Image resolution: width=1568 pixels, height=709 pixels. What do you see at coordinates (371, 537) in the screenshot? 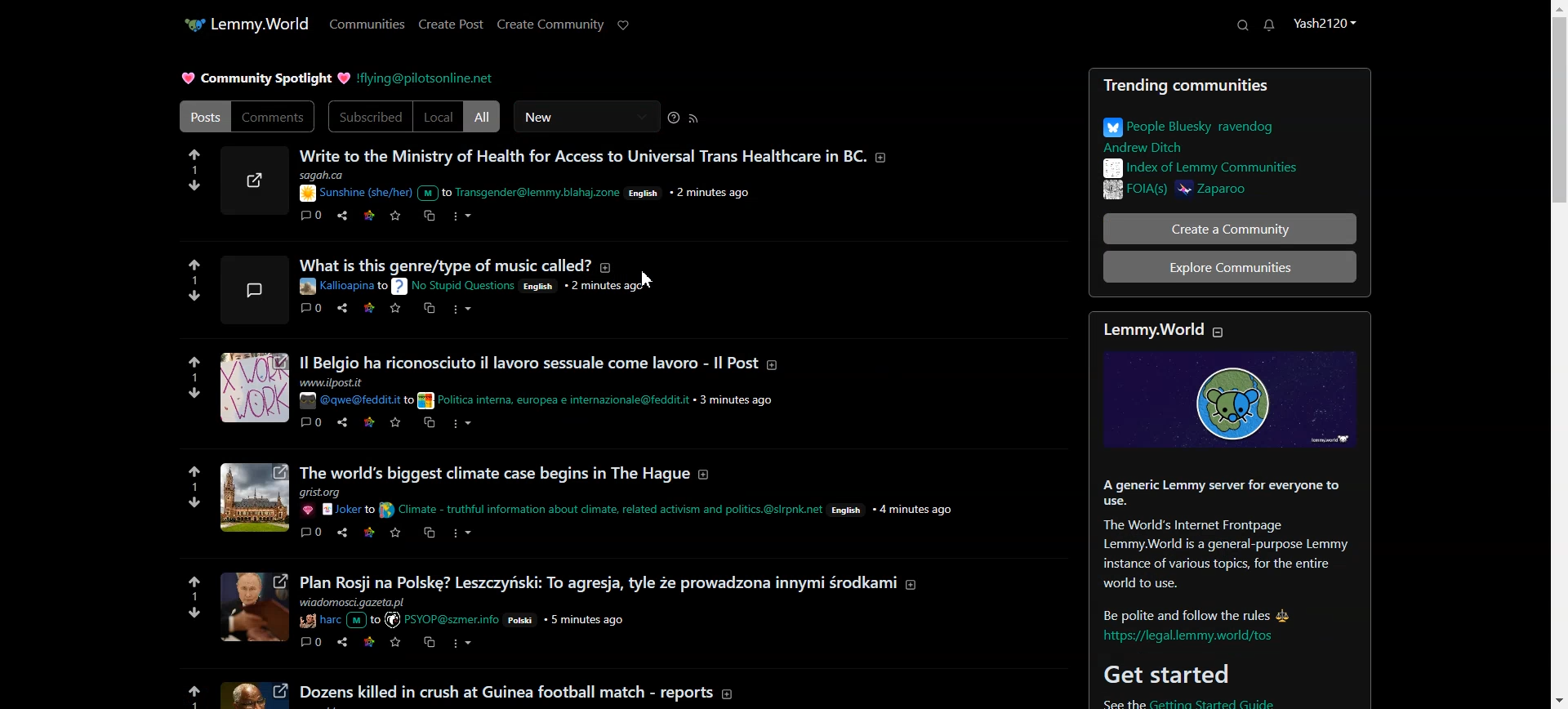
I see `link` at bounding box center [371, 537].